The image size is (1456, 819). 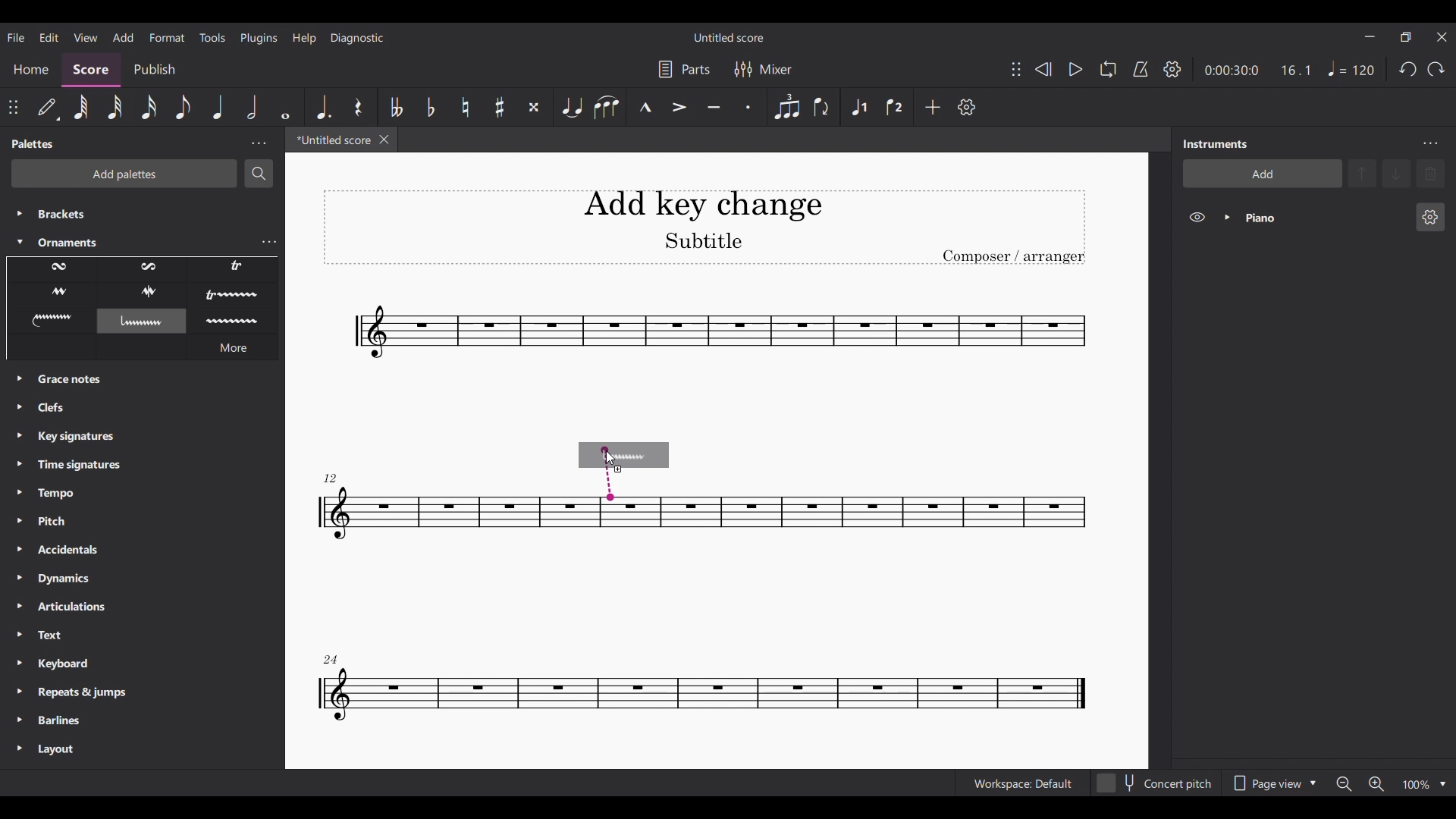 What do you see at coordinates (968, 107) in the screenshot?
I see `Customize tools` at bounding box center [968, 107].